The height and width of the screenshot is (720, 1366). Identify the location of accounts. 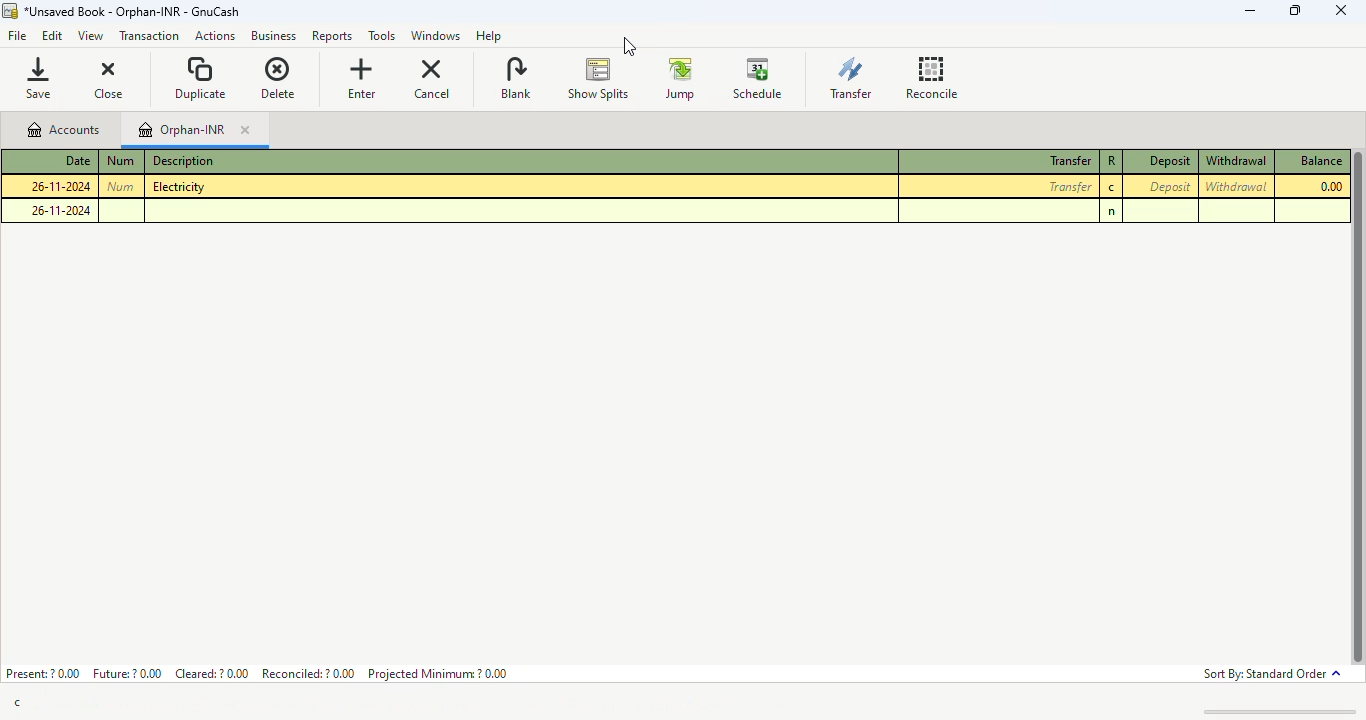
(62, 130).